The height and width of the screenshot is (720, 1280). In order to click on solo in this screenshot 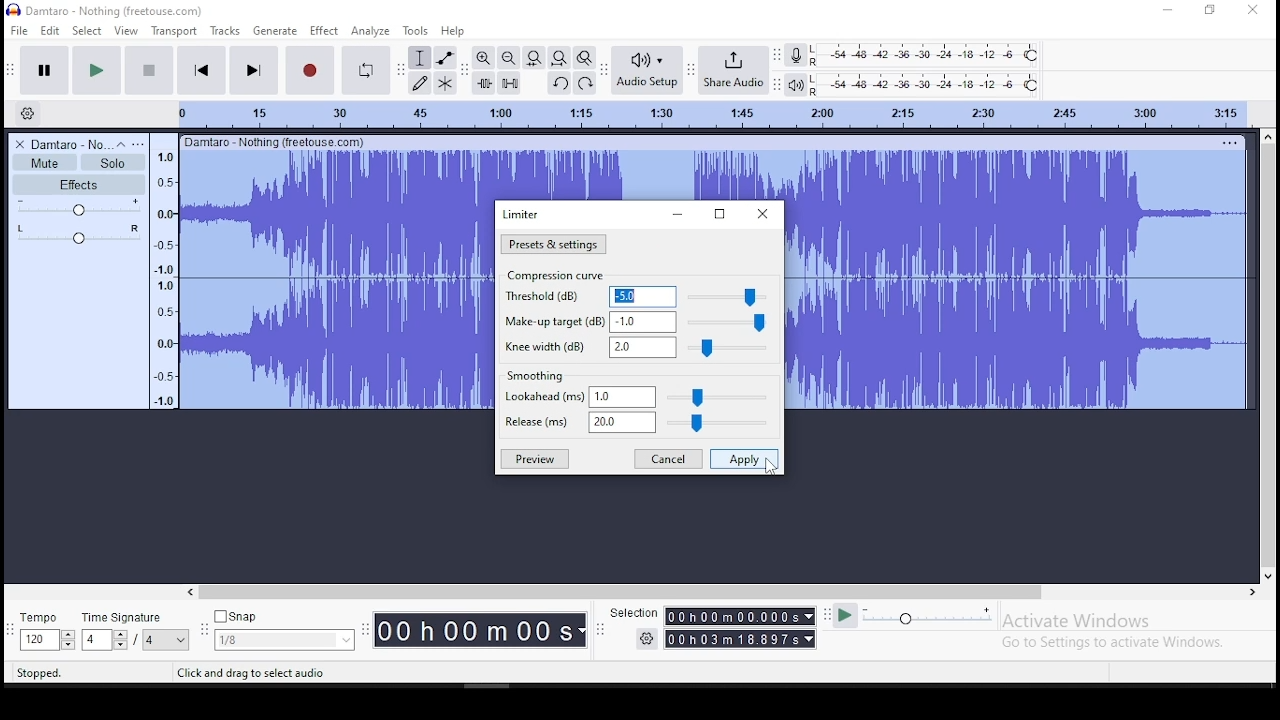, I will do `click(113, 163)`.